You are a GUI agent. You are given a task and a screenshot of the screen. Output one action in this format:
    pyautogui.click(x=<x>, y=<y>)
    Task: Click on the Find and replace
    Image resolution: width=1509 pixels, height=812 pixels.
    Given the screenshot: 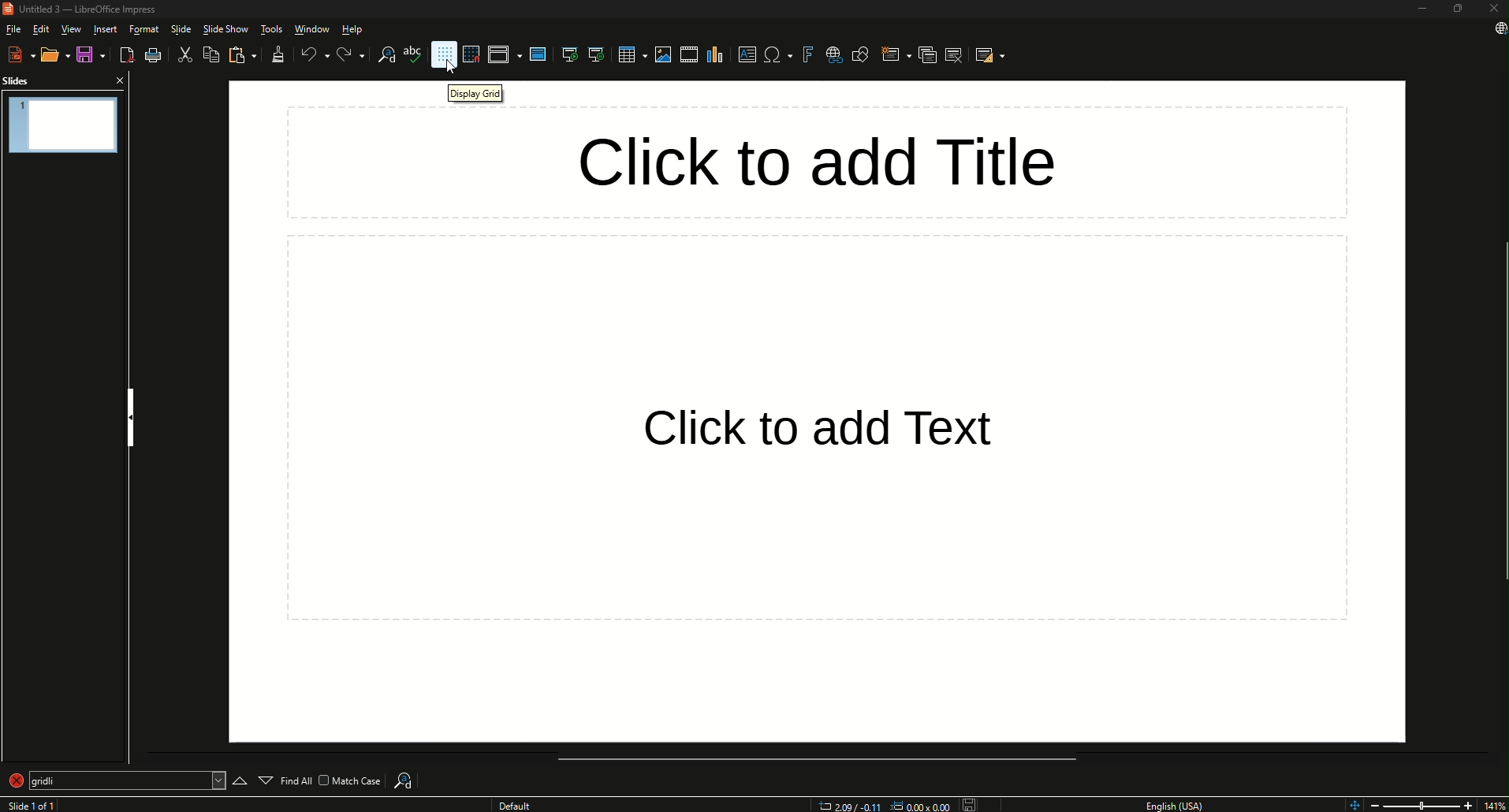 What is the action you would take?
    pyautogui.click(x=380, y=57)
    